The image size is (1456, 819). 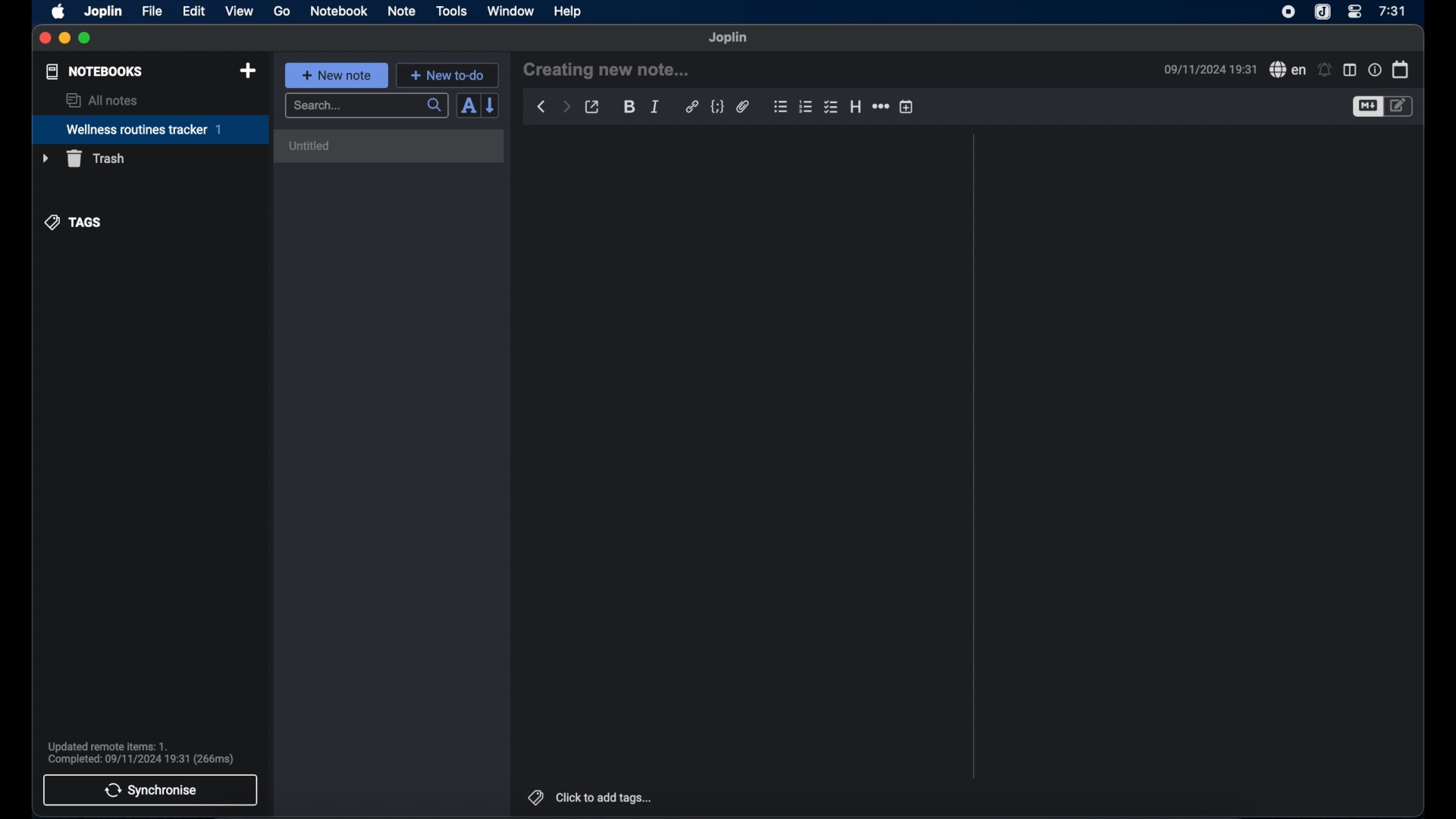 I want to click on close, so click(x=45, y=39).